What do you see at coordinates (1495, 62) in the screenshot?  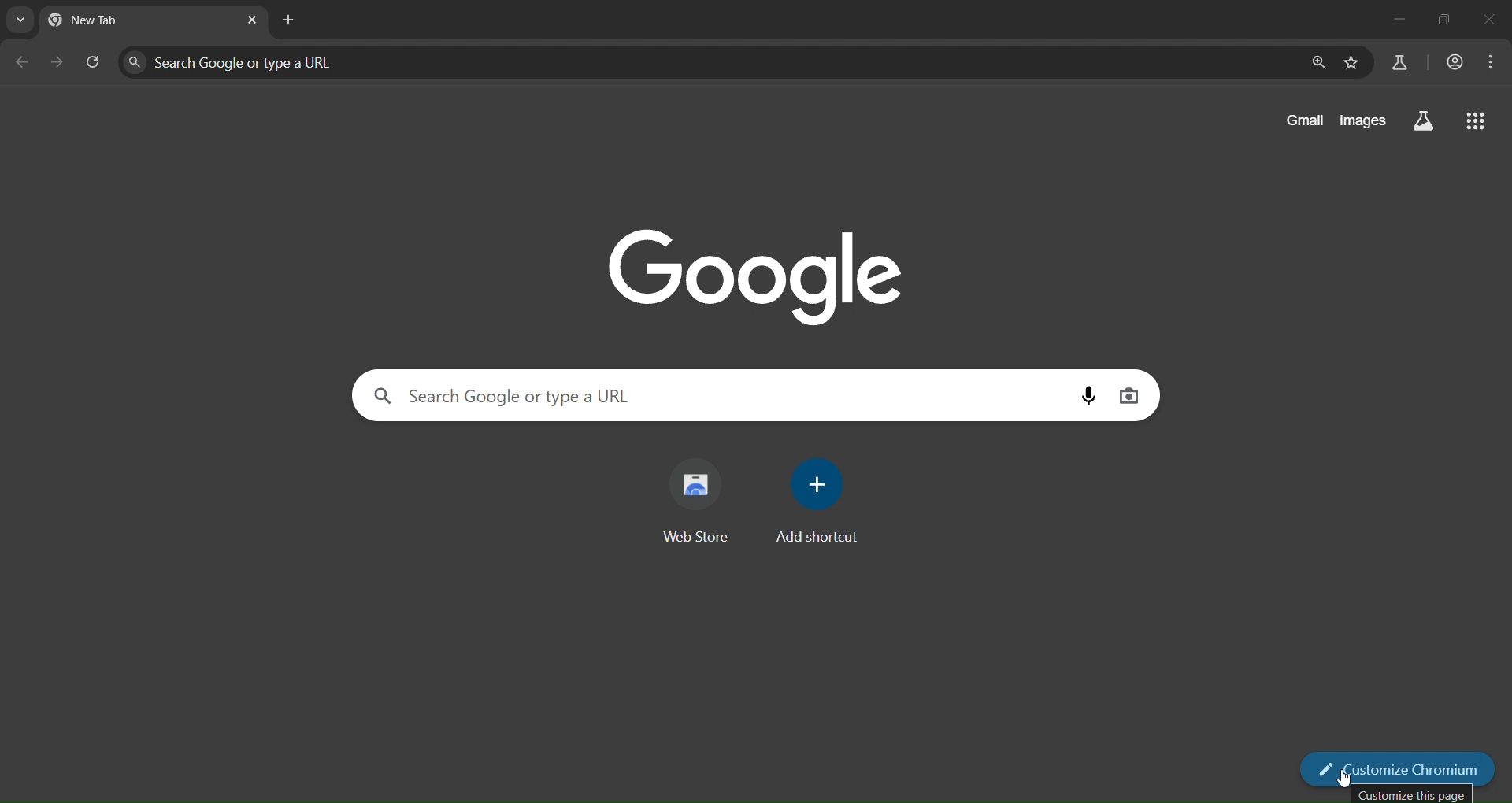 I see `menu` at bounding box center [1495, 62].